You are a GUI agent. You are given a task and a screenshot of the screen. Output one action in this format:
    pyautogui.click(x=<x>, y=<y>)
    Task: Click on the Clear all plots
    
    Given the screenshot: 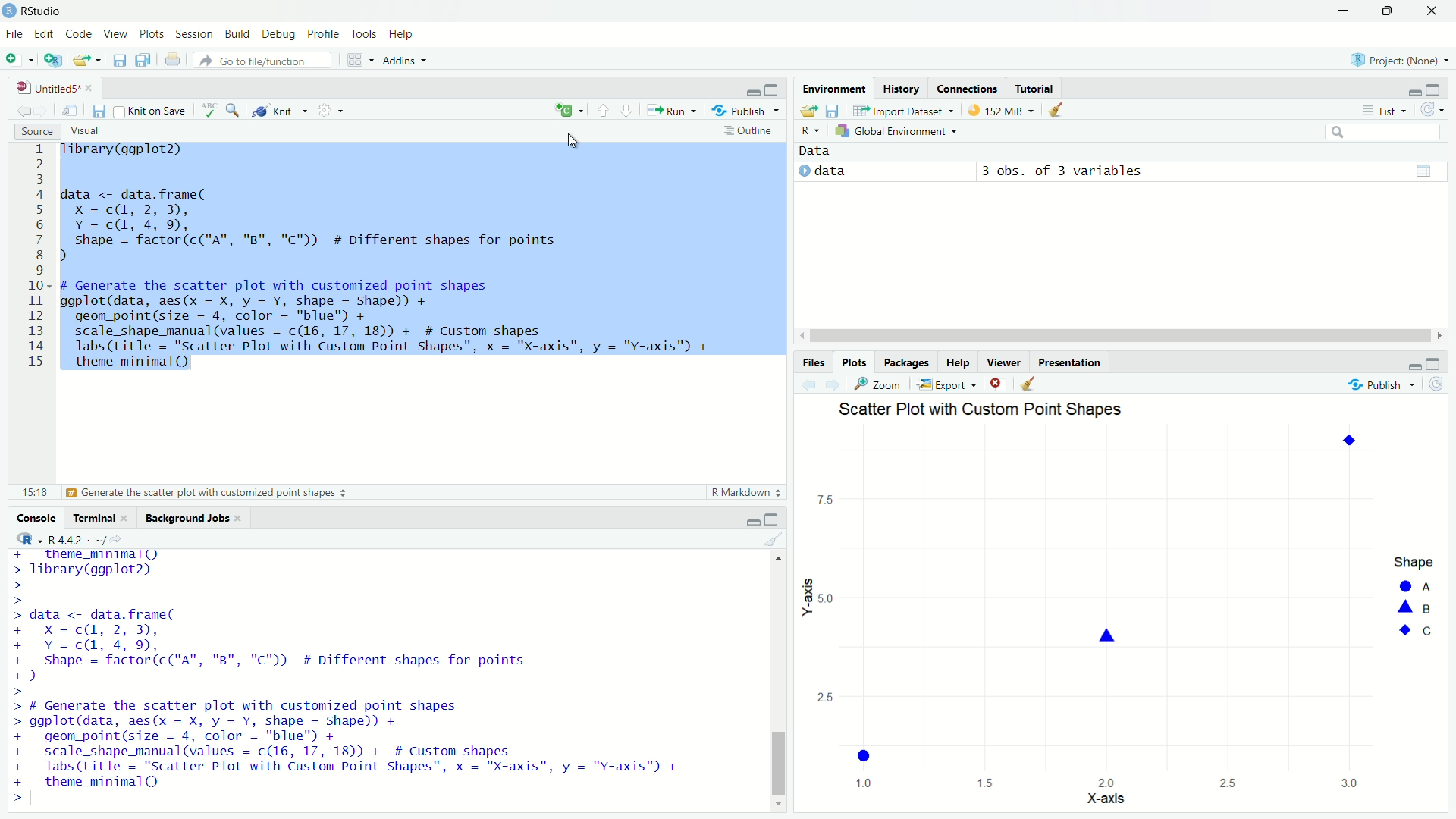 What is the action you would take?
    pyautogui.click(x=1028, y=383)
    